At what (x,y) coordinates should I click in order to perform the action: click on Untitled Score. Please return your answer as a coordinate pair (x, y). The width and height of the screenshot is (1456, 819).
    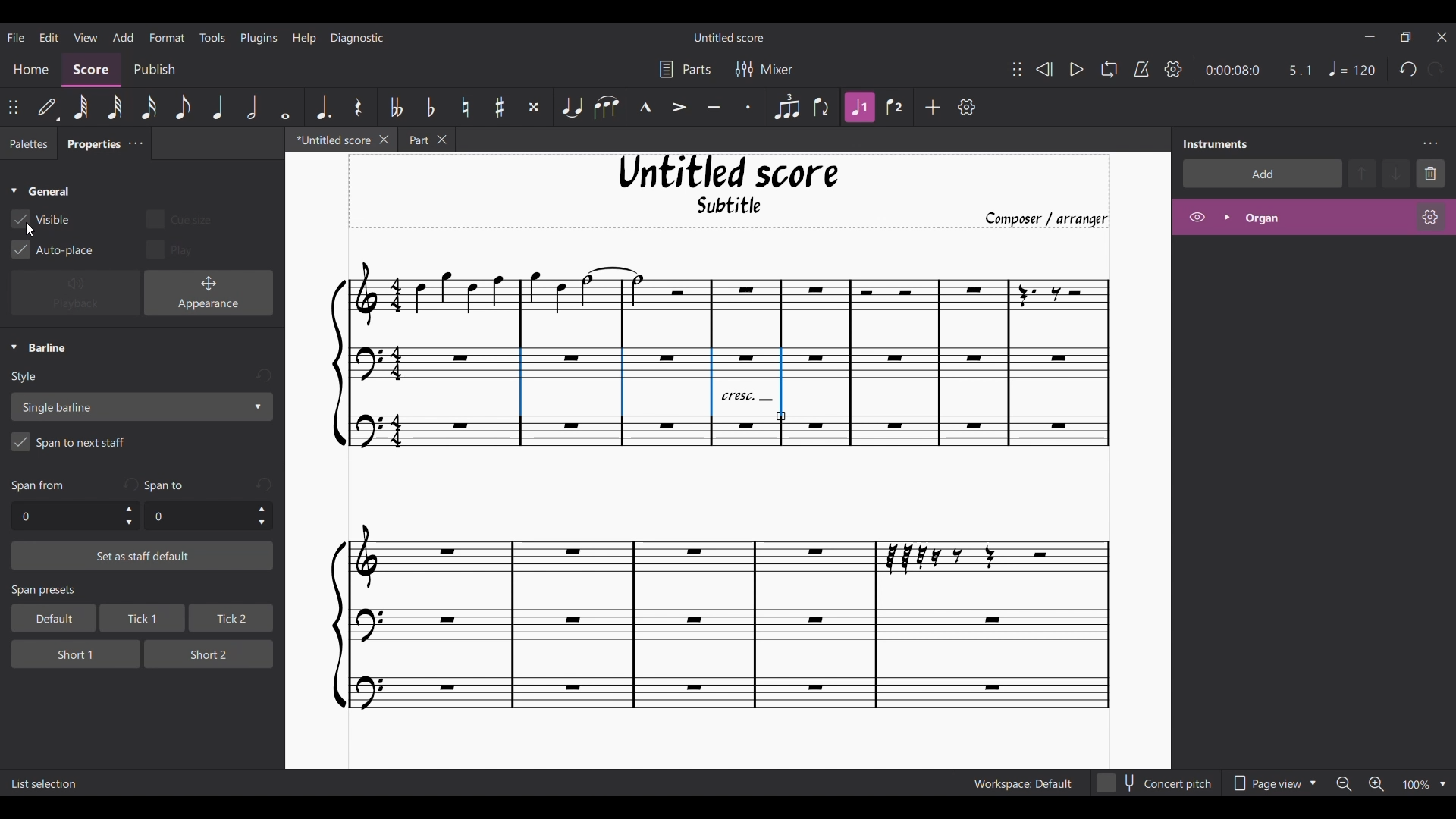
    Looking at the image, I should click on (729, 172).